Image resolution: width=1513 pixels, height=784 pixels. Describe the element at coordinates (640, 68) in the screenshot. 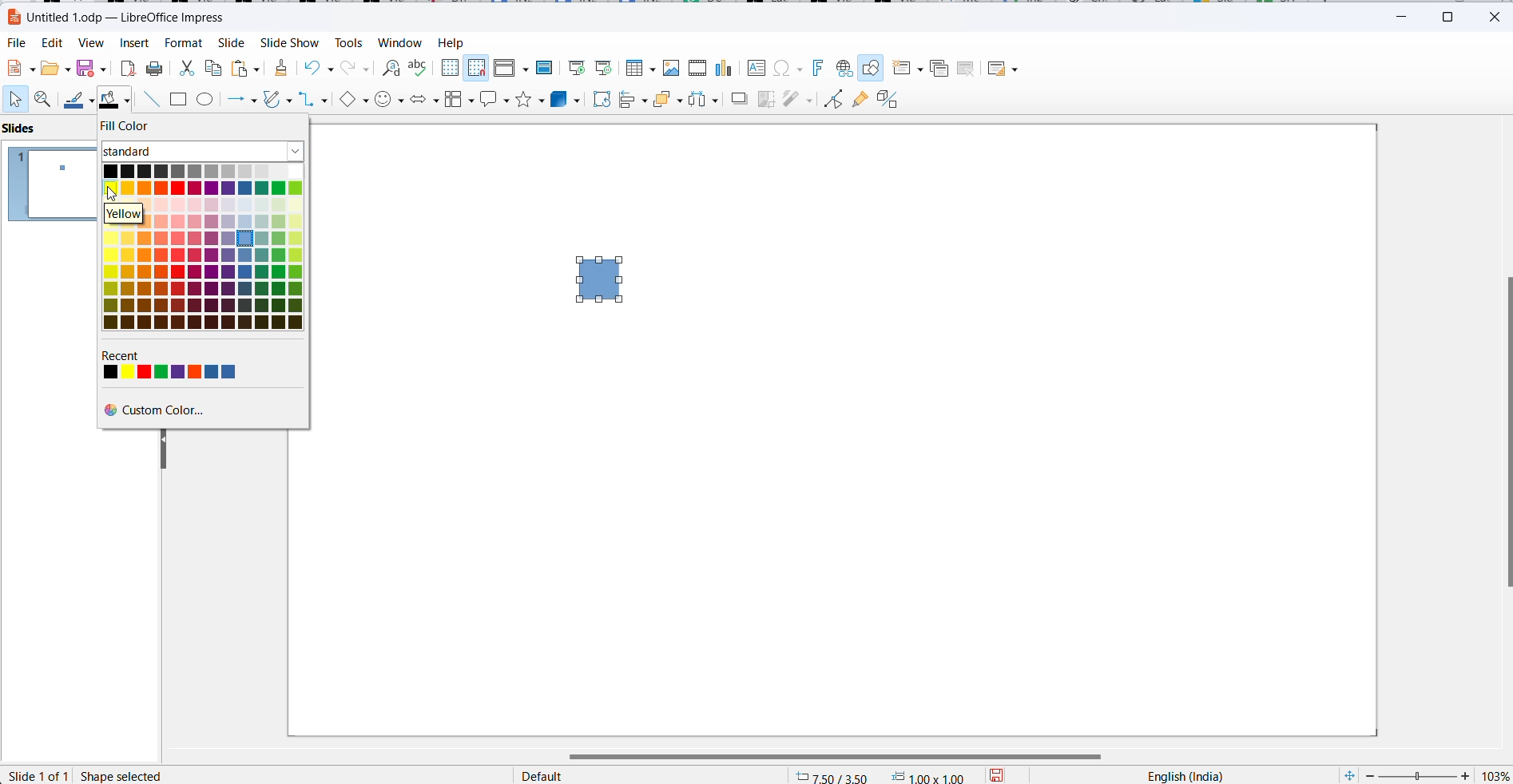

I see `Insert table` at that location.